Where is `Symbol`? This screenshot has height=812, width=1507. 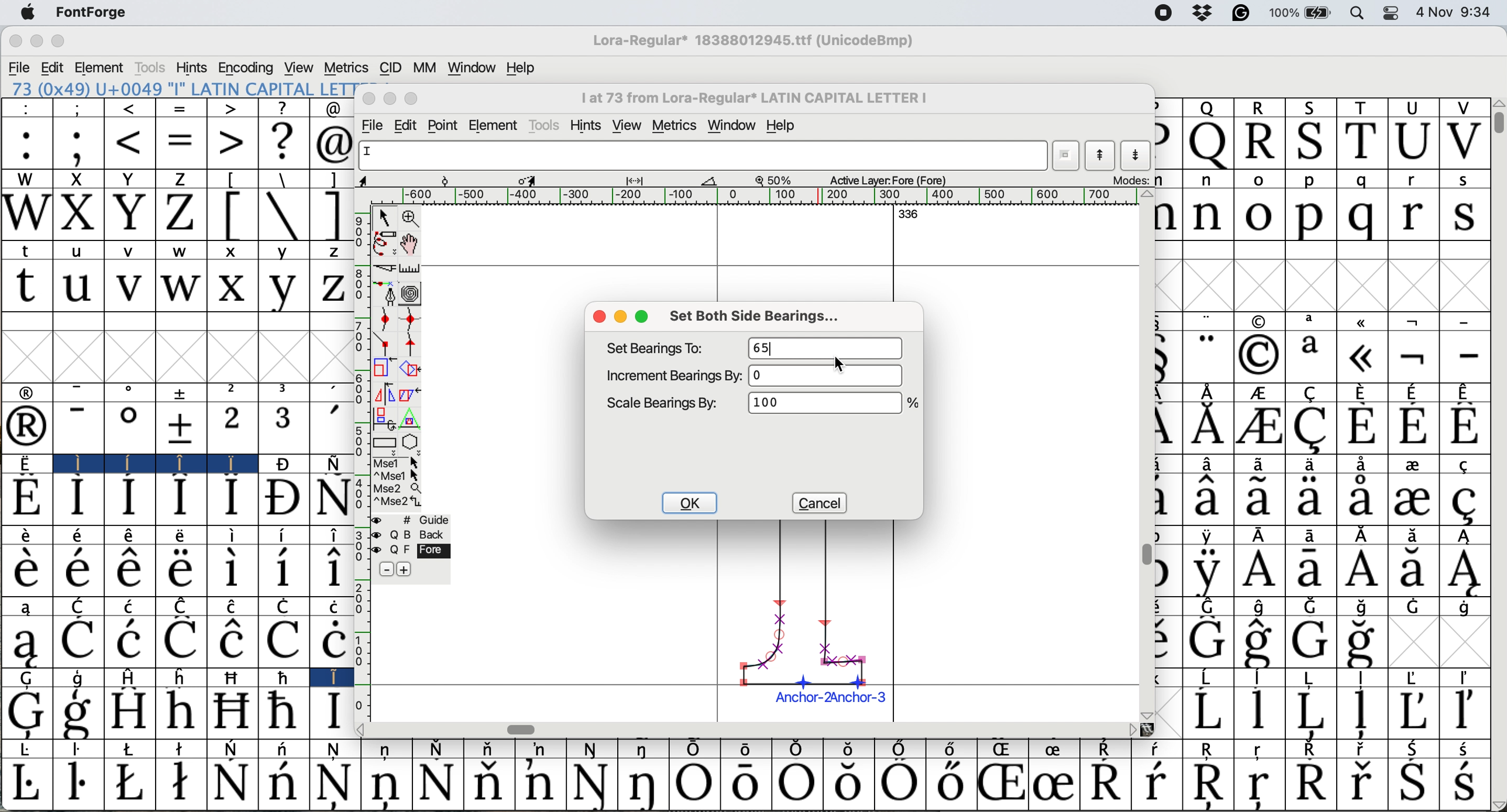
Symbol is located at coordinates (1465, 712).